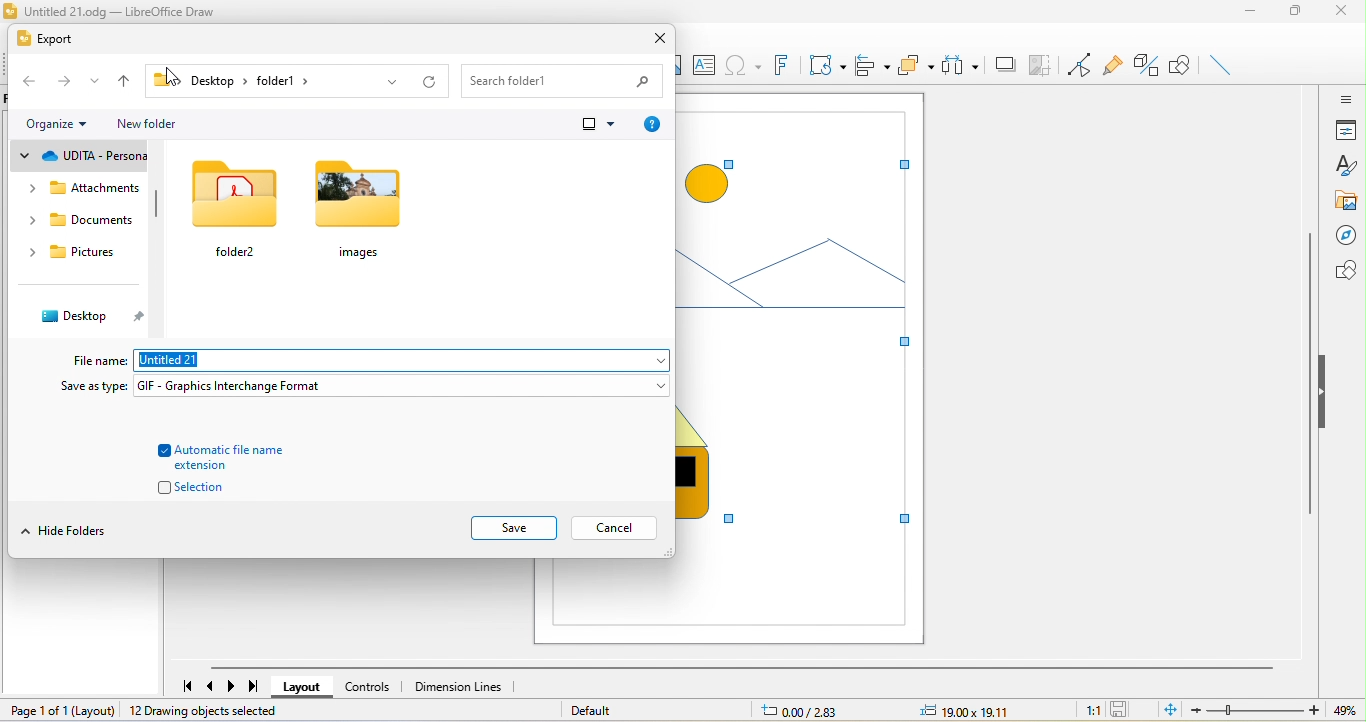 The width and height of the screenshot is (1366, 722). What do you see at coordinates (60, 709) in the screenshot?
I see `page 1 of 1` at bounding box center [60, 709].